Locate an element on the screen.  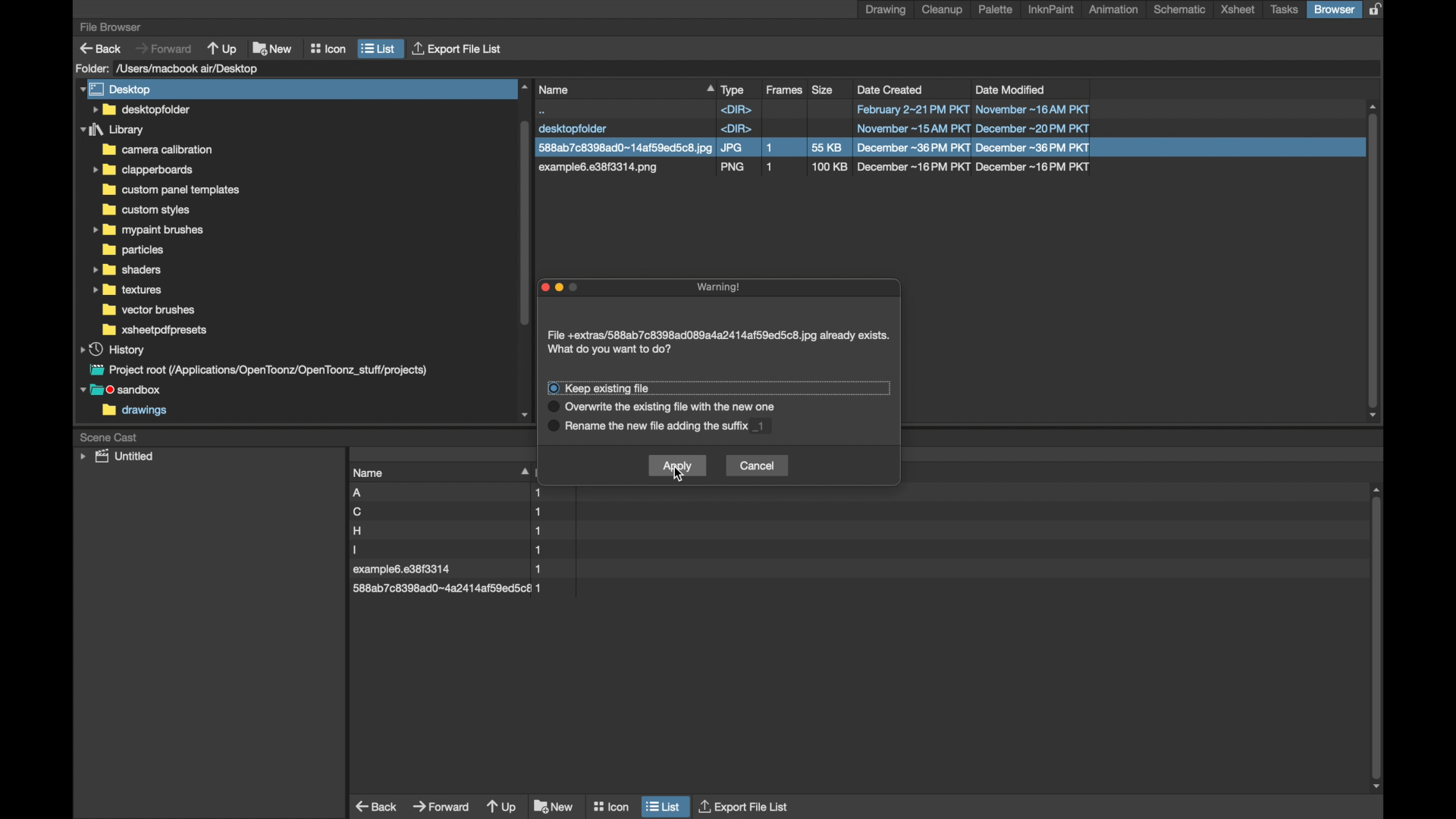
xsheet is located at coordinates (1238, 10).